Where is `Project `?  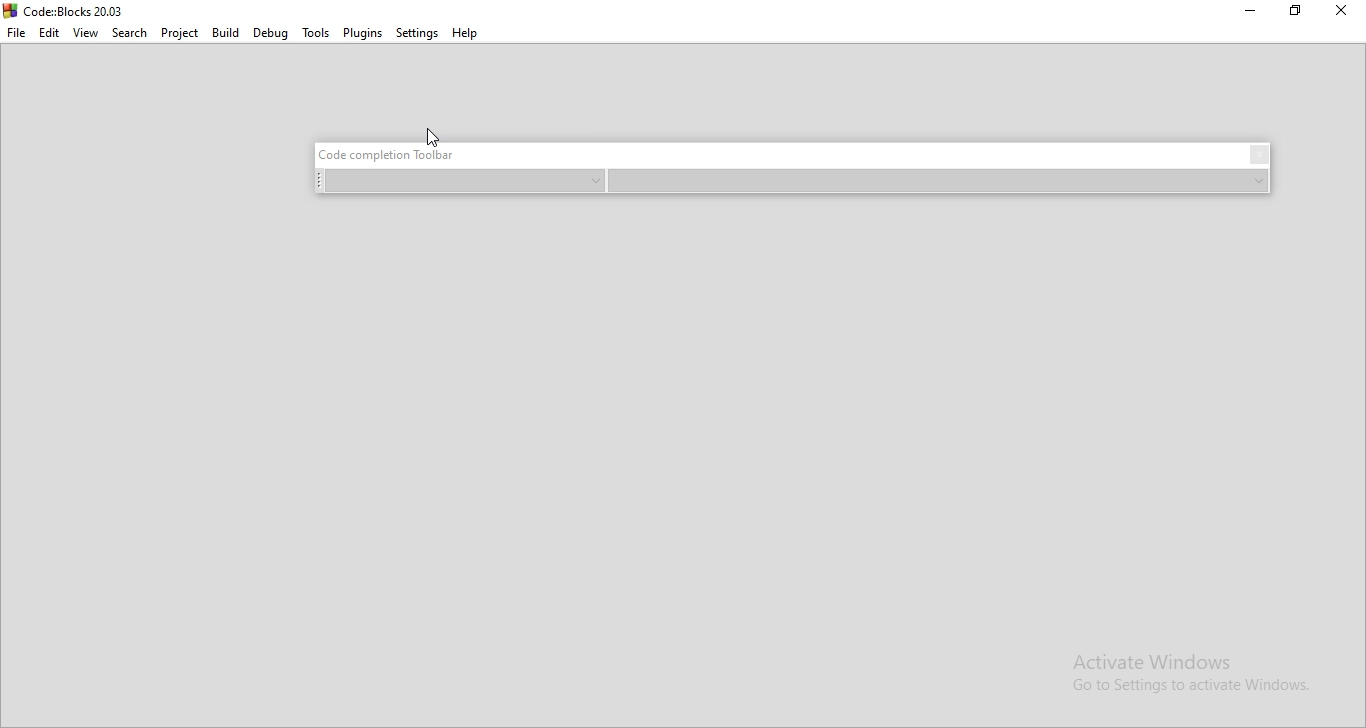 Project  is located at coordinates (178, 33).